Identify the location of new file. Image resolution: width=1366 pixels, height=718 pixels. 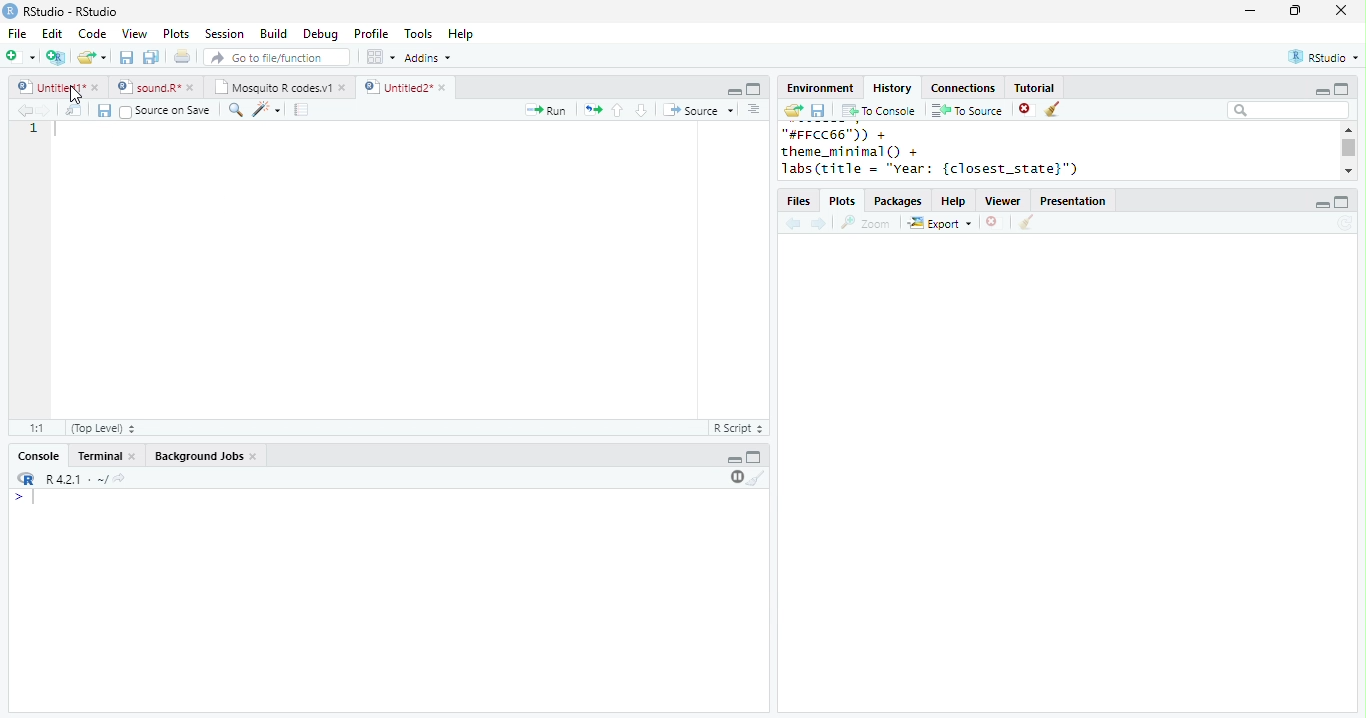
(20, 56).